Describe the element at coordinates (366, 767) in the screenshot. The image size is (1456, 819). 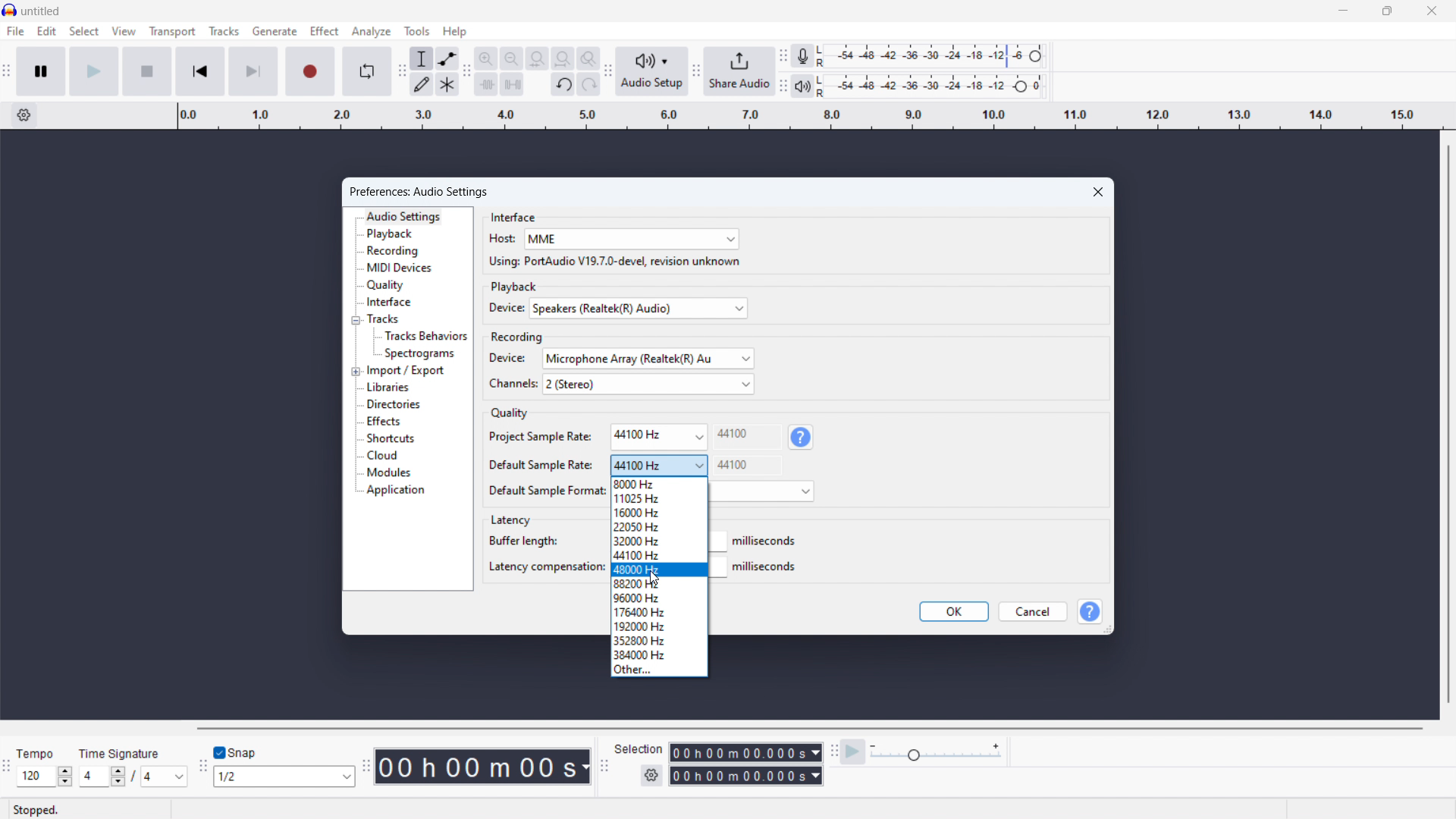
I see `time toolbar` at that location.